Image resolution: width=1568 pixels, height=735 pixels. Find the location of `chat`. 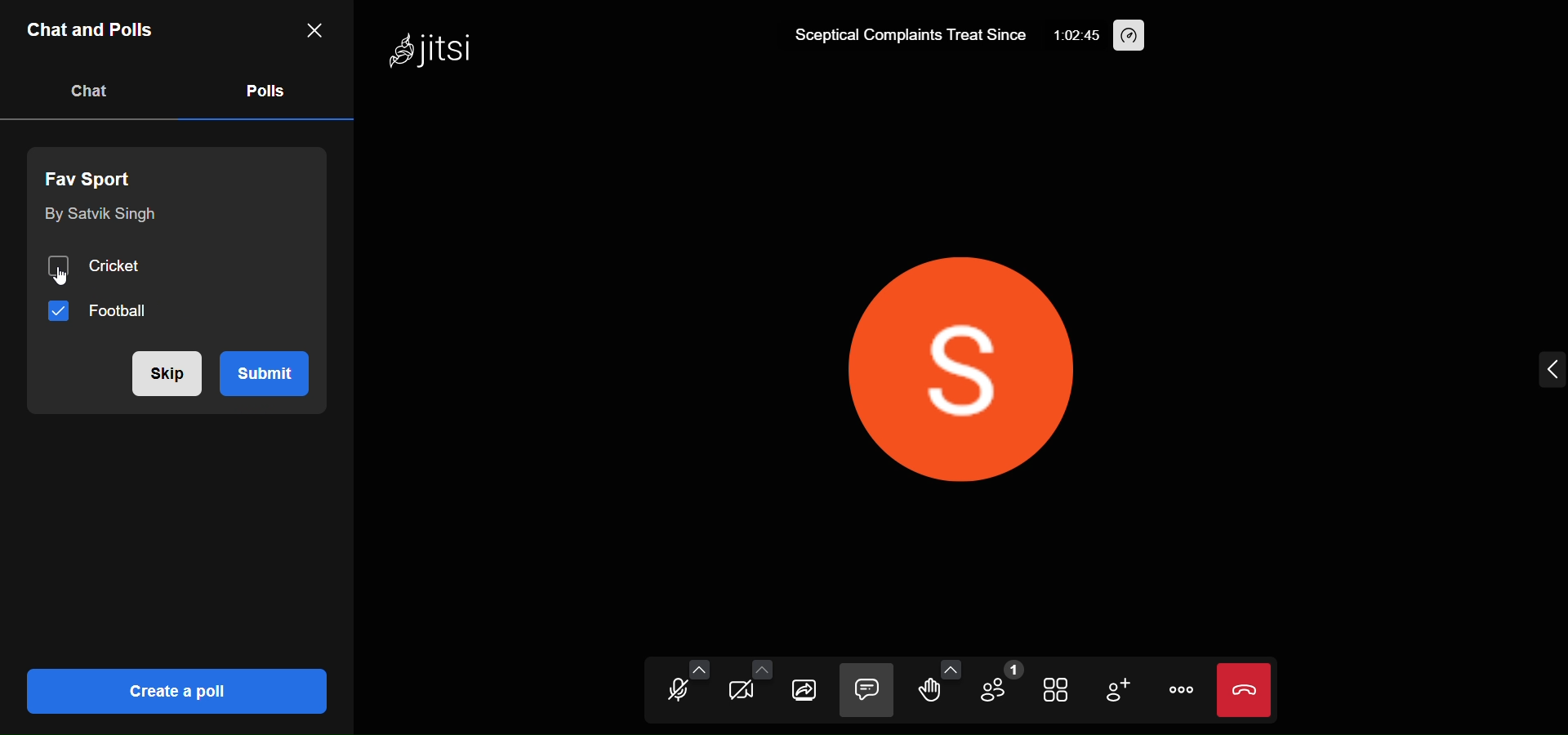

chat is located at coordinates (866, 691).